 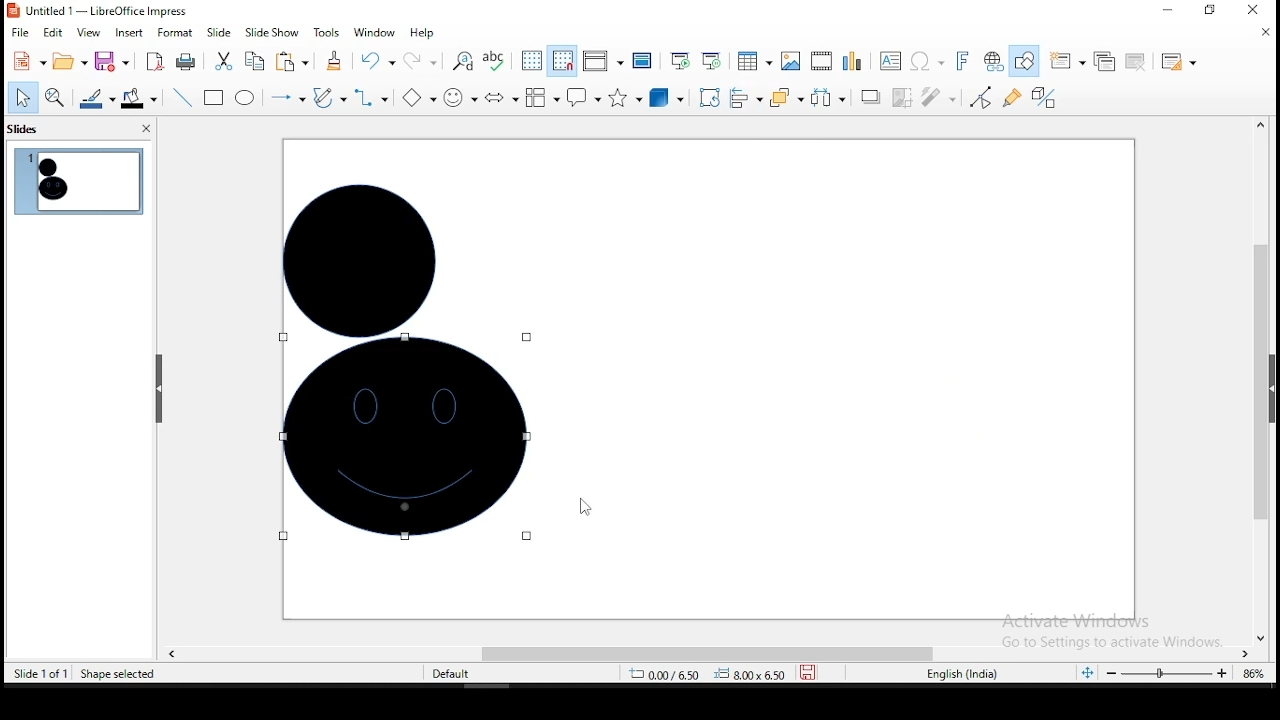 I want to click on zoom level, so click(x=1251, y=673).